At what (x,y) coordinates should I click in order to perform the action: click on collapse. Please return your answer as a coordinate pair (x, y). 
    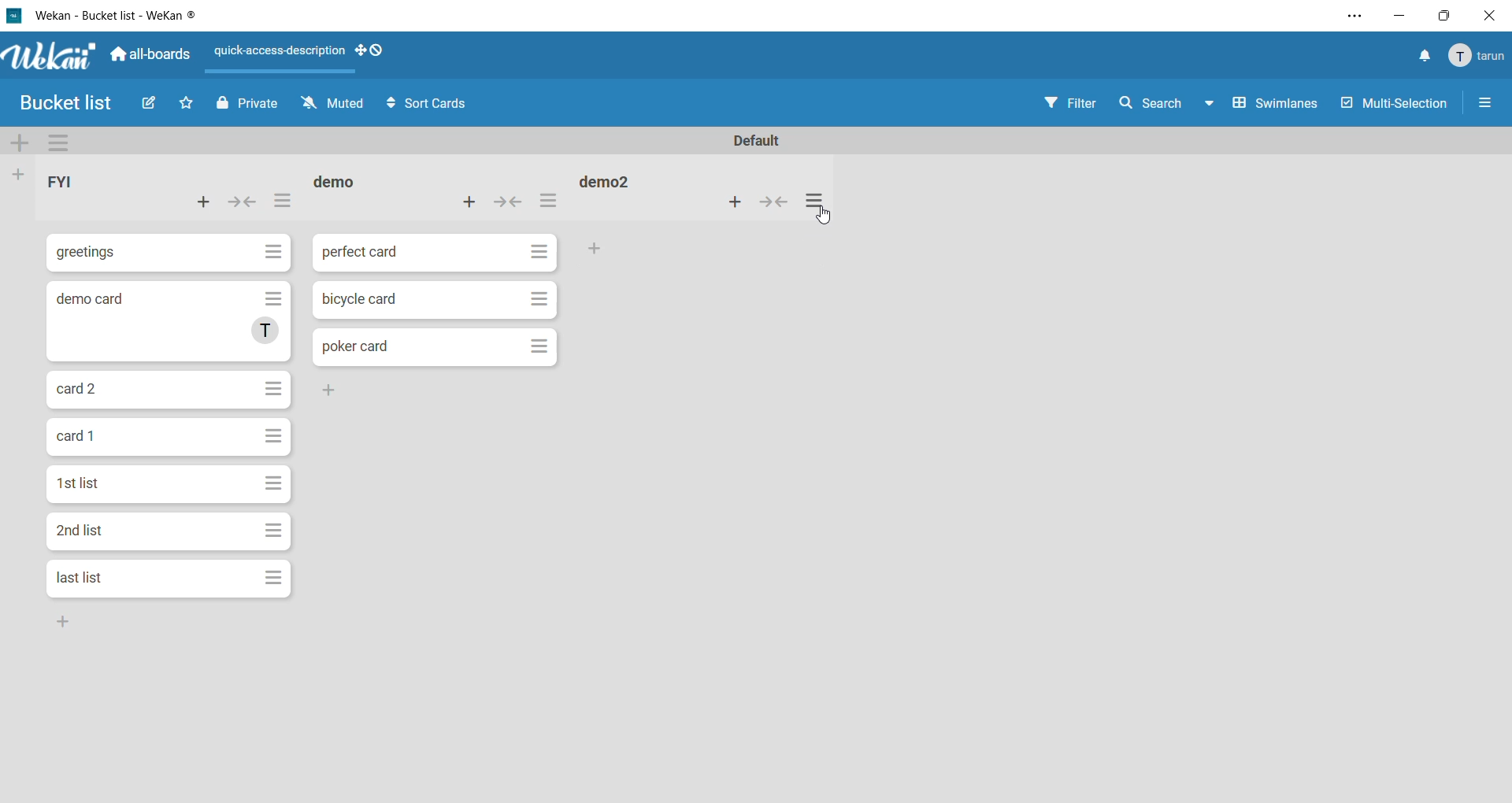
    Looking at the image, I should click on (506, 202).